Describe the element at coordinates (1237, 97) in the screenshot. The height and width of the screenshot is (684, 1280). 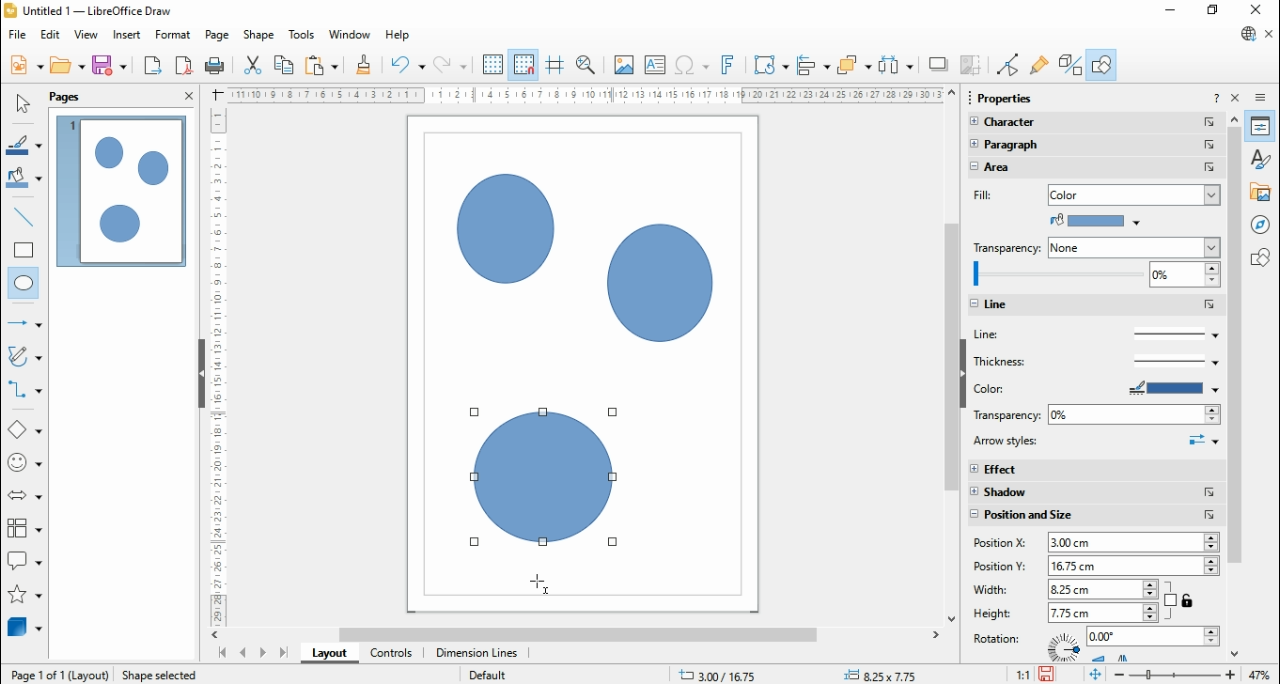
I see `close sidebar deck` at that location.